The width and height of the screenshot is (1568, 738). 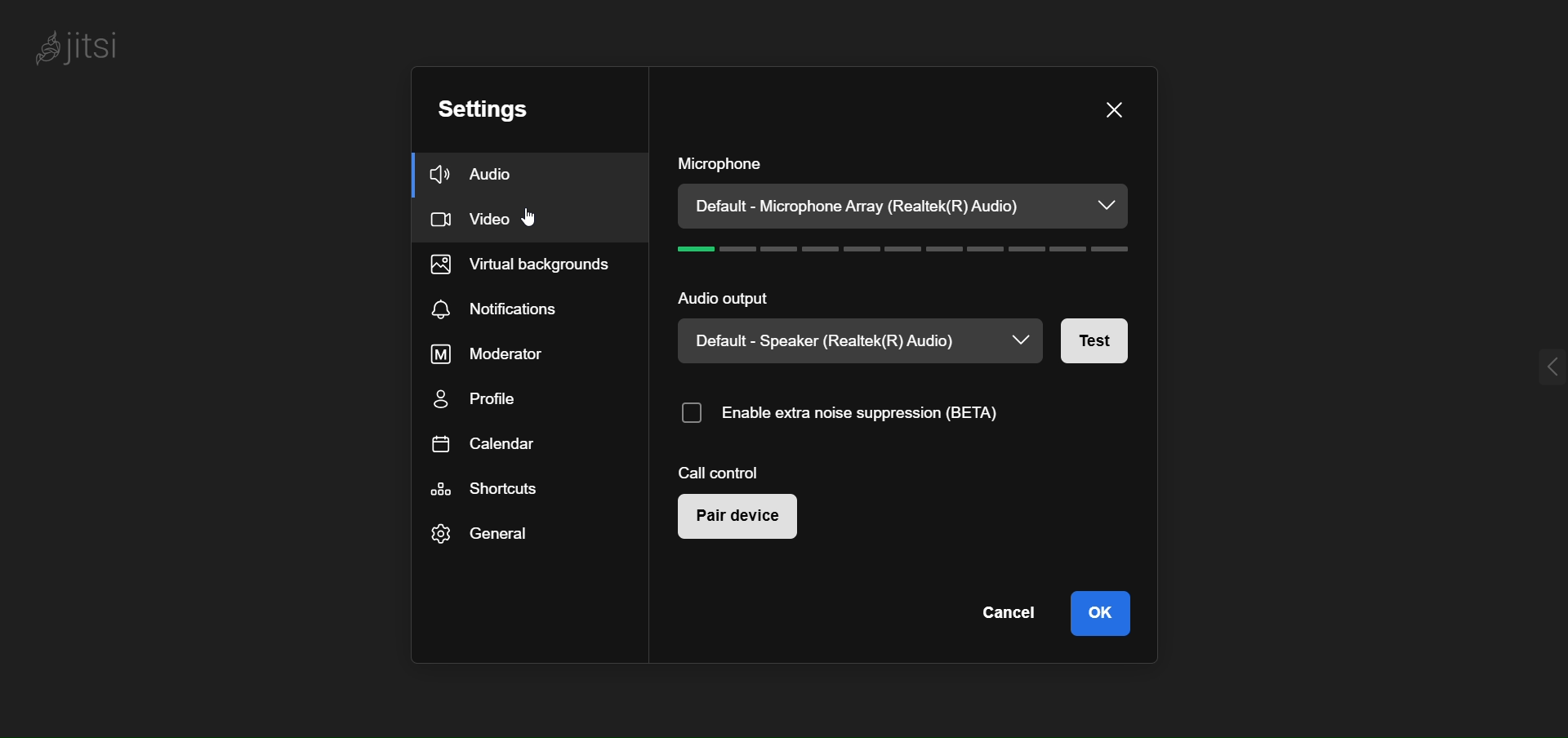 What do you see at coordinates (540, 220) in the screenshot?
I see `cursor` at bounding box center [540, 220].